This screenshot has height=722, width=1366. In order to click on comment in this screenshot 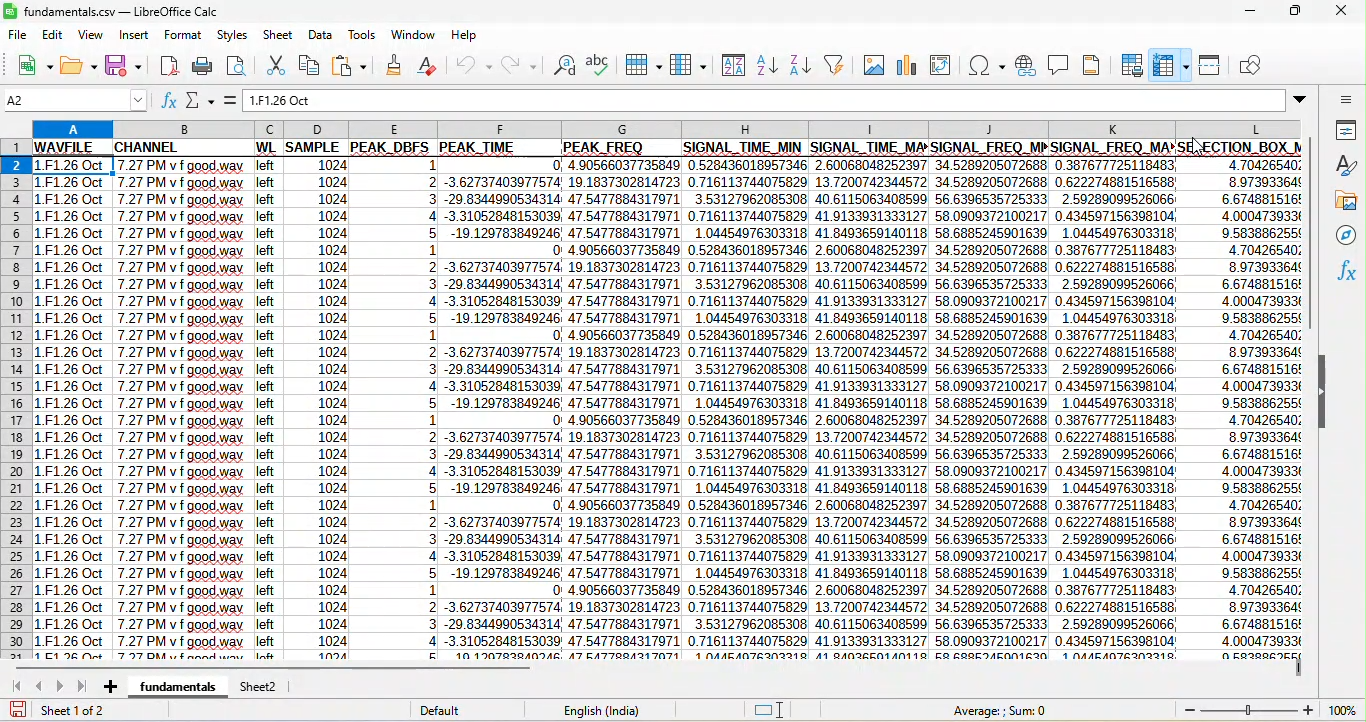, I will do `click(1060, 65)`.